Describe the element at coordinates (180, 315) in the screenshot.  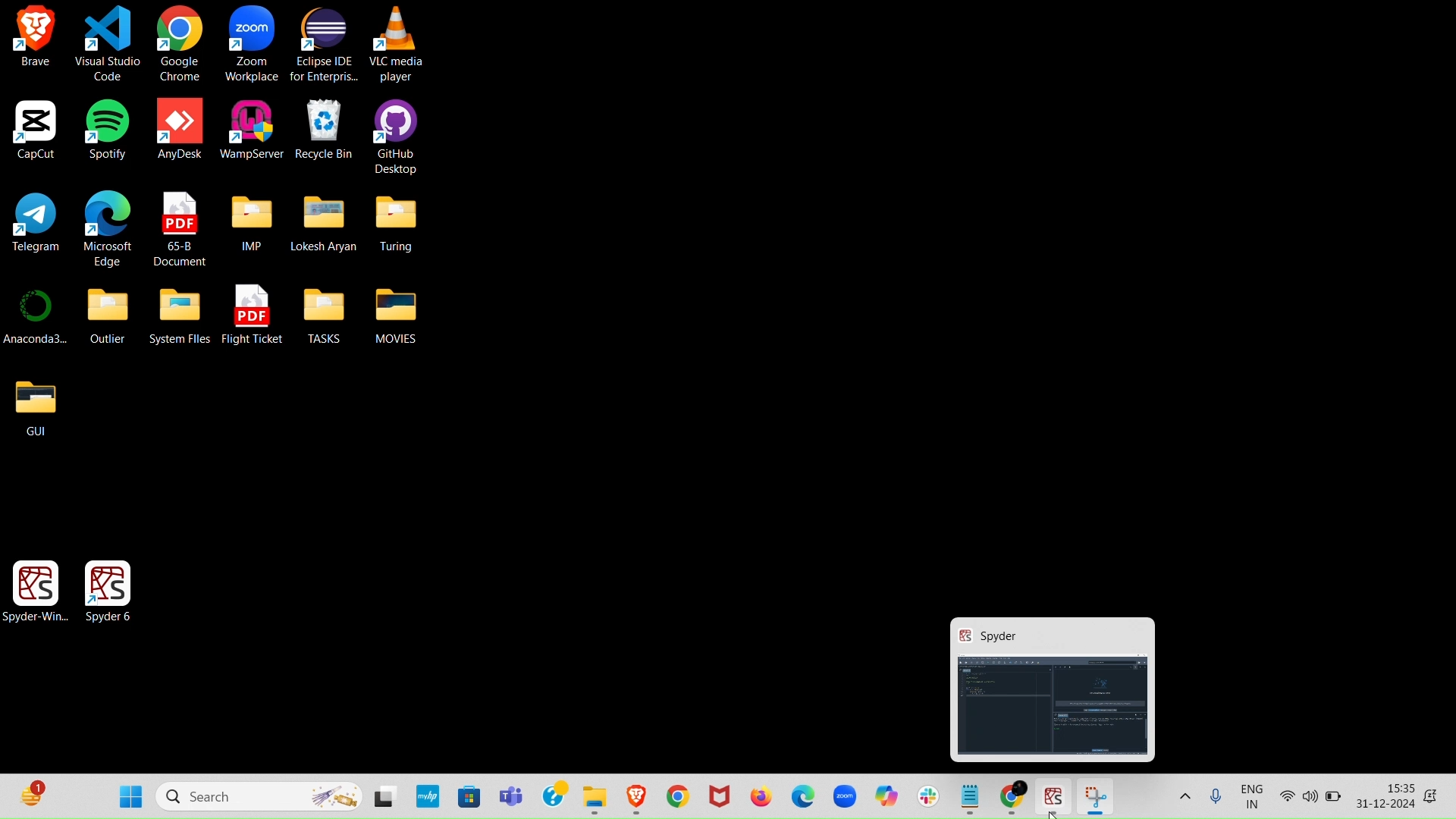
I see `System Files` at that location.